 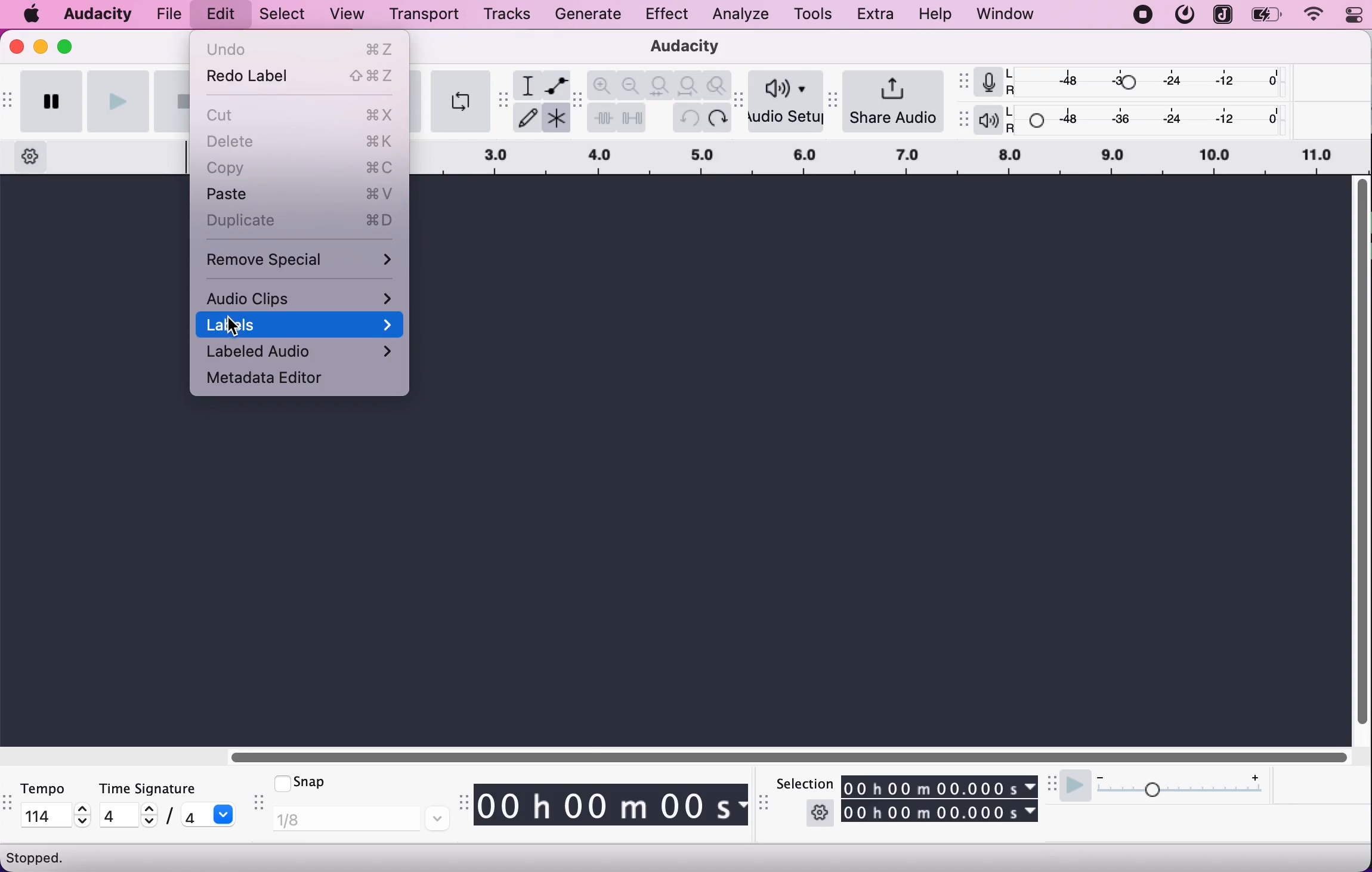 What do you see at coordinates (766, 808) in the screenshot?
I see `audacity selection toolbar` at bounding box center [766, 808].